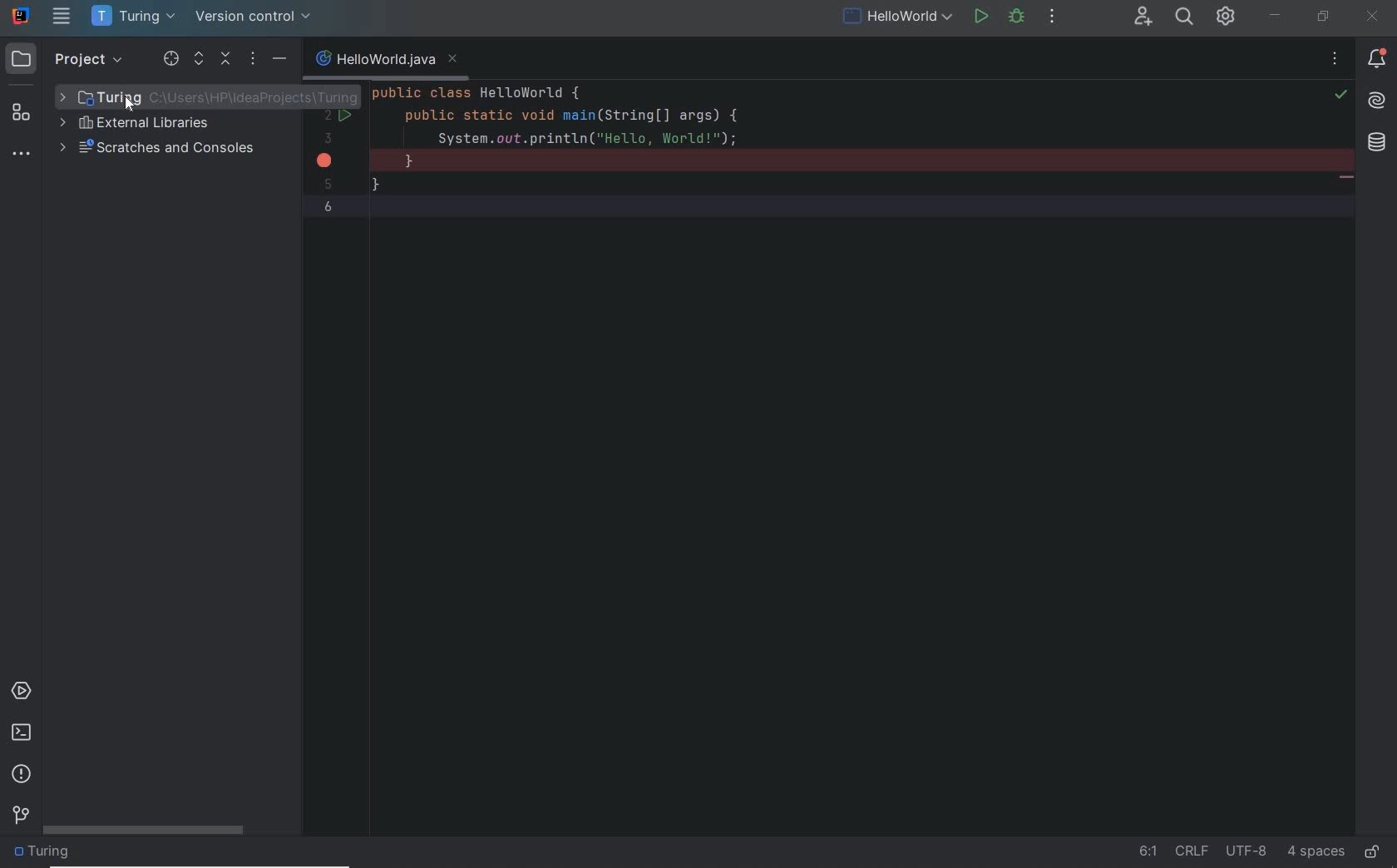  I want to click on project, so click(68, 57).